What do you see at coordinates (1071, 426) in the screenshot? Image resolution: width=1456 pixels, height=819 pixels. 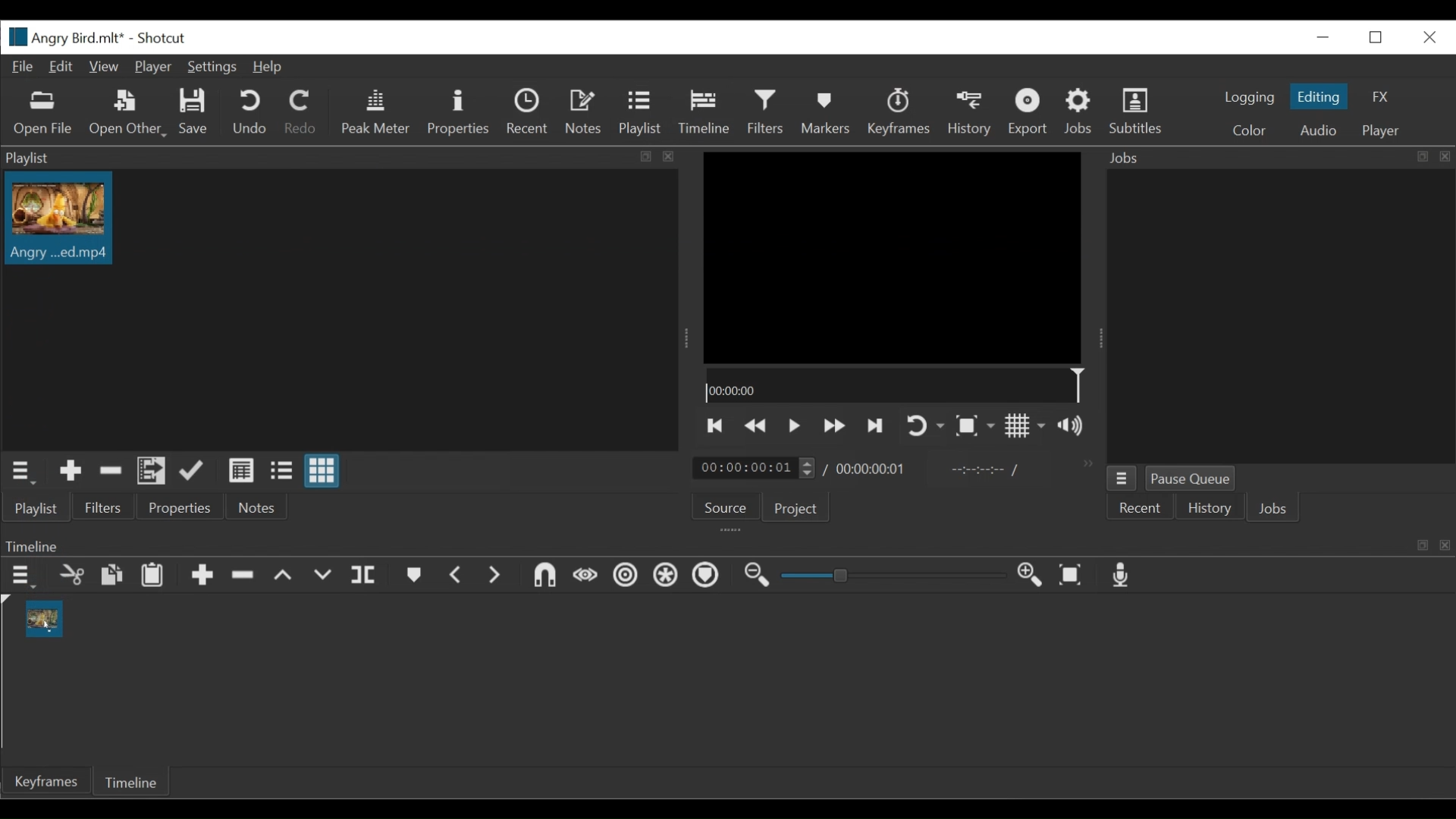 I see `Show volume control` at bounding box center [1071, 426].